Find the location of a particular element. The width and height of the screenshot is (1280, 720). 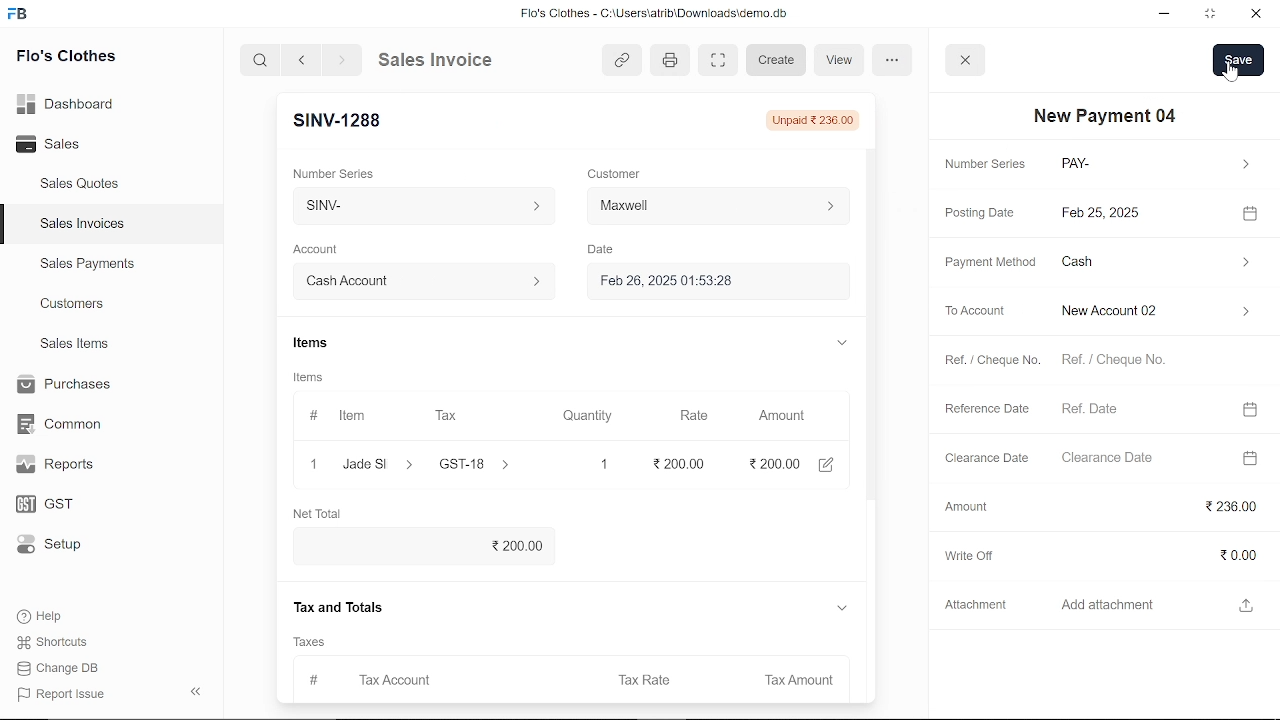

edit account is located at coordinates (834, 462).